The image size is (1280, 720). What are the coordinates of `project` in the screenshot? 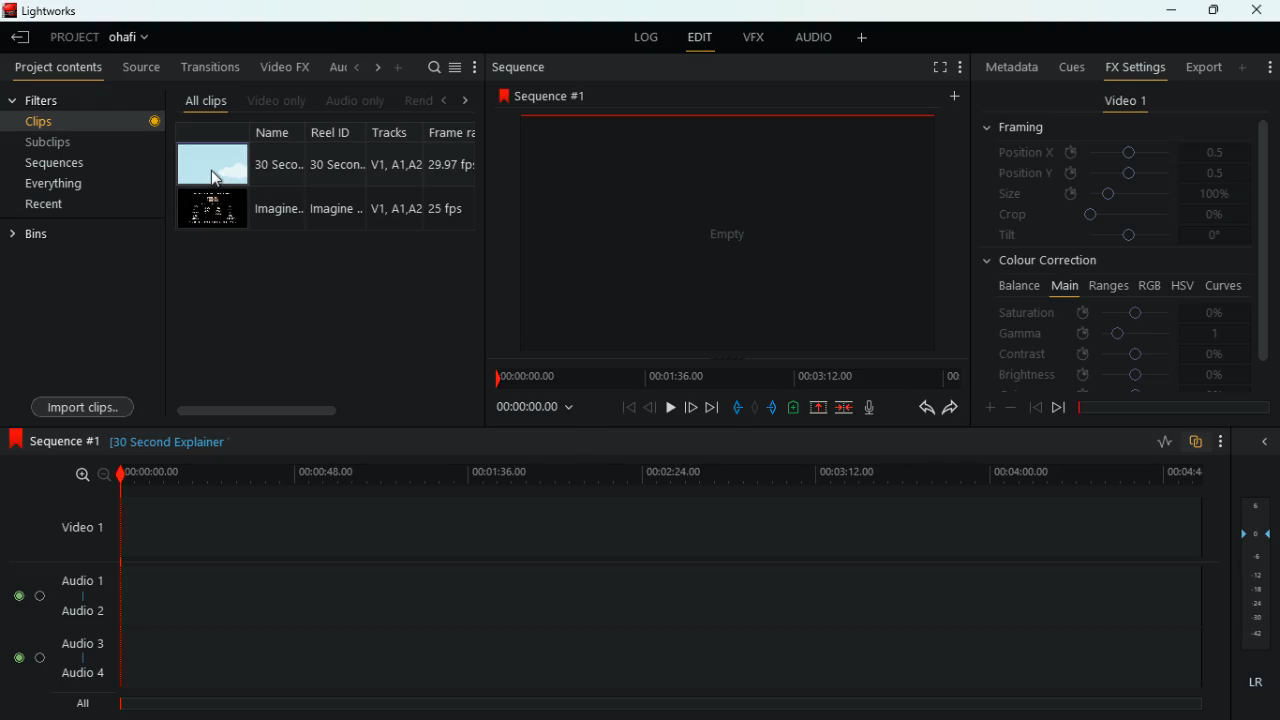 It's located at (102, 38).